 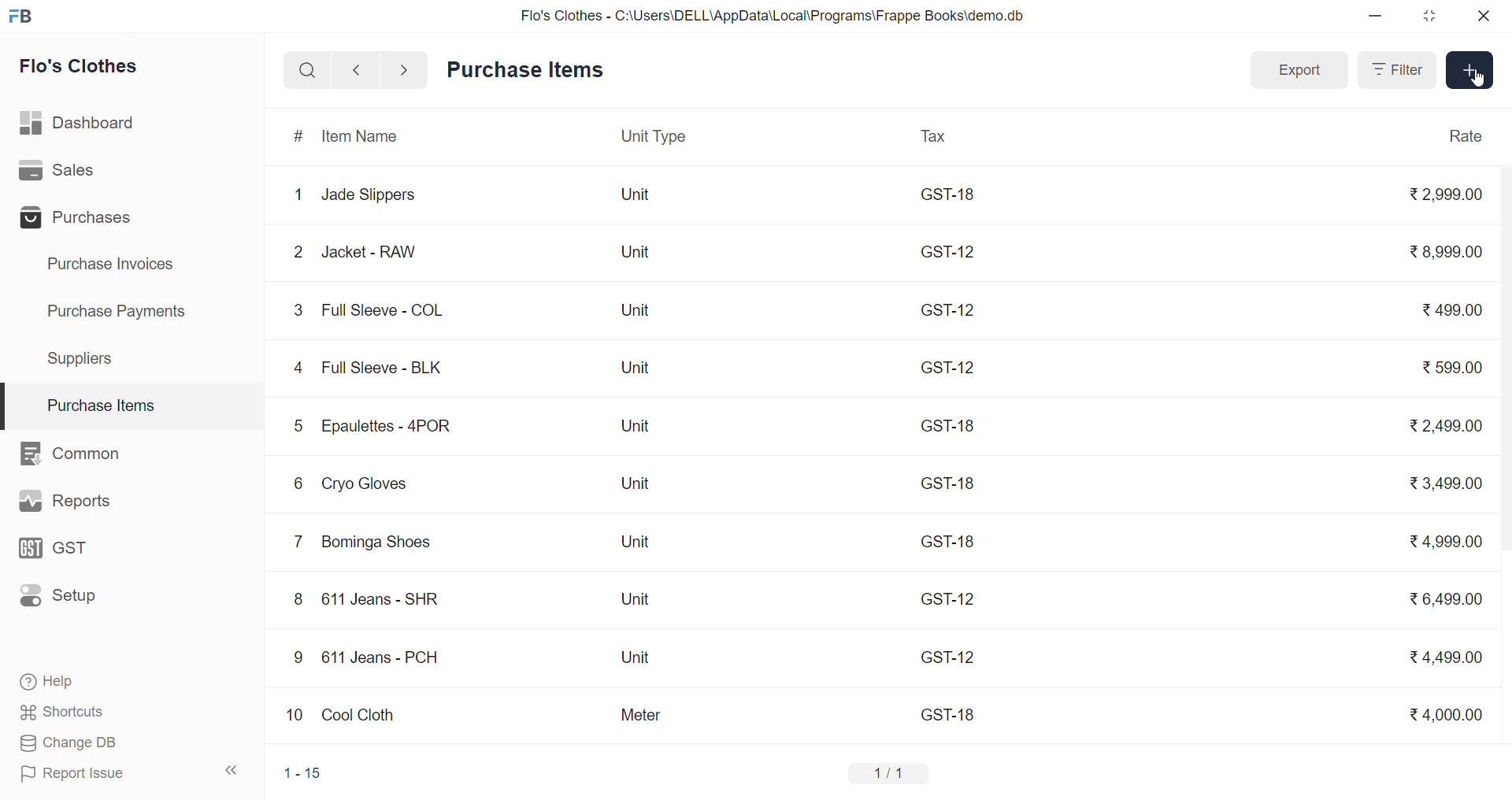 I want to click on Tax, so click(x=939, y=138).